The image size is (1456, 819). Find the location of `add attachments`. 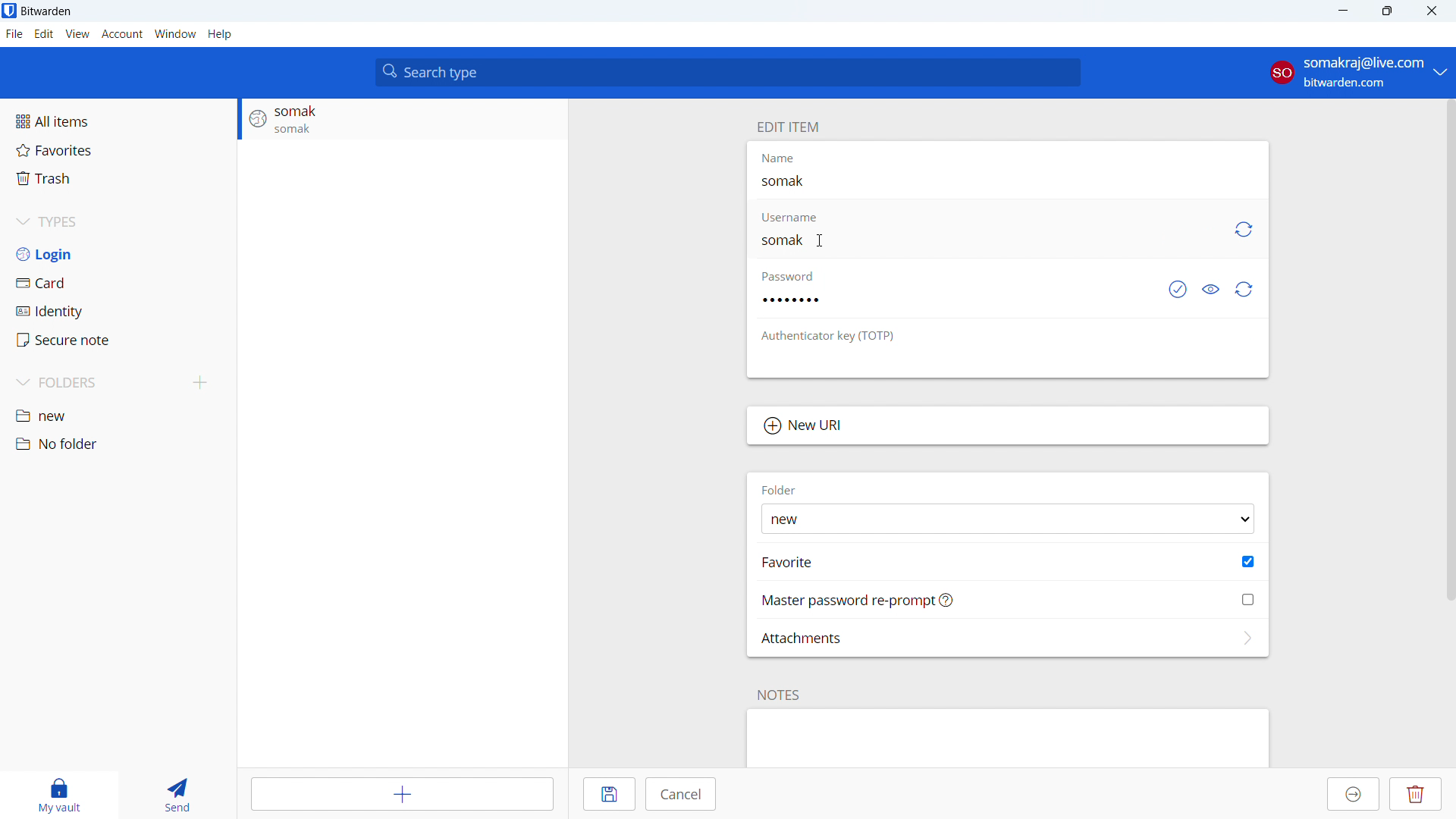

add attachments is located at coordinates (1008, 638).